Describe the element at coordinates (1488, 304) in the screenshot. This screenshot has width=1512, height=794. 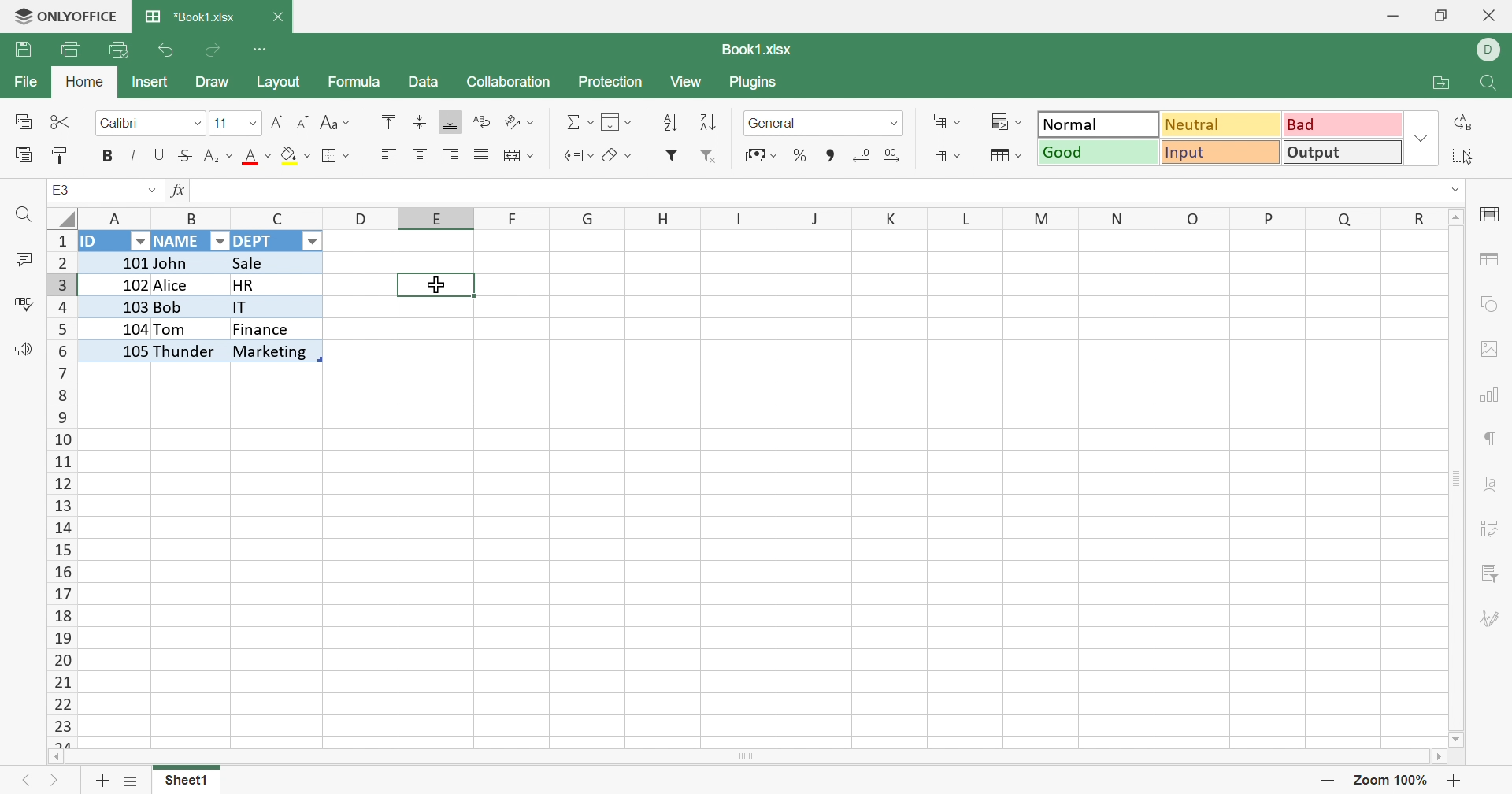
I see `shape settings` at that location.